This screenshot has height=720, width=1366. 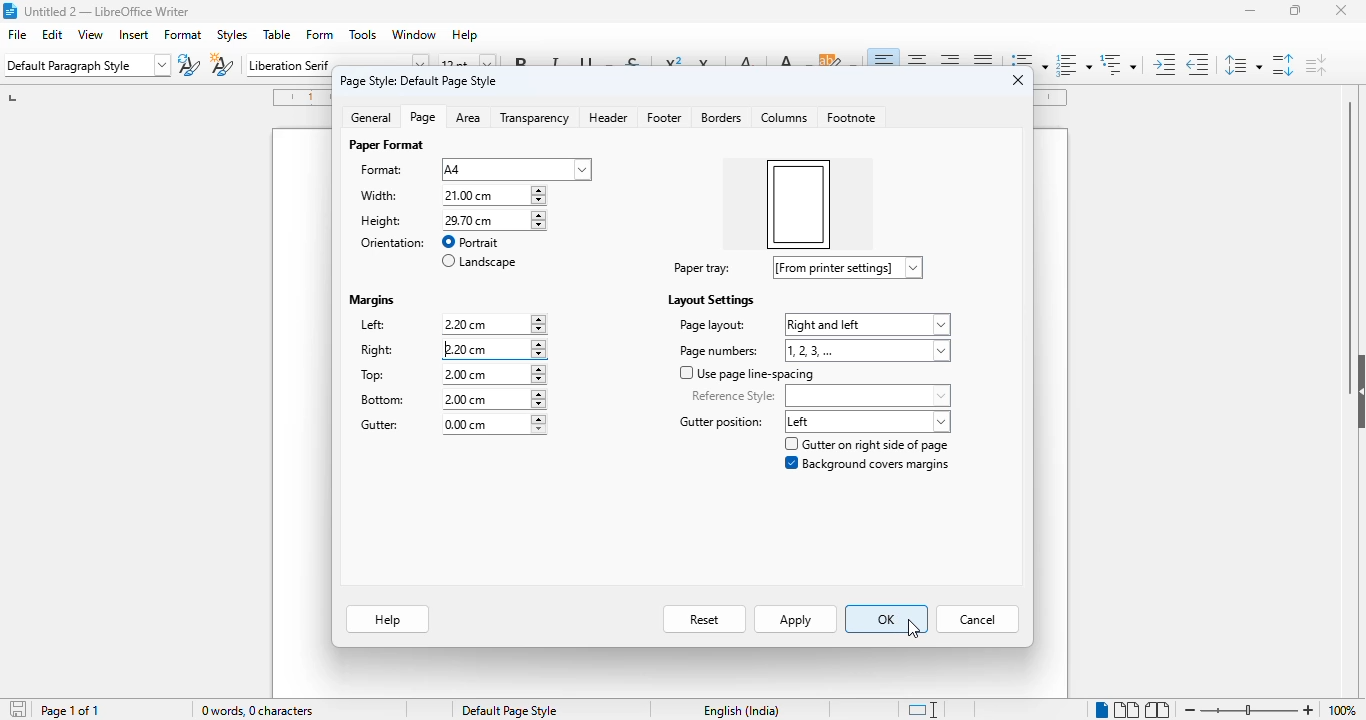 I want to click on gutter position options, so click(x=865, y=422).